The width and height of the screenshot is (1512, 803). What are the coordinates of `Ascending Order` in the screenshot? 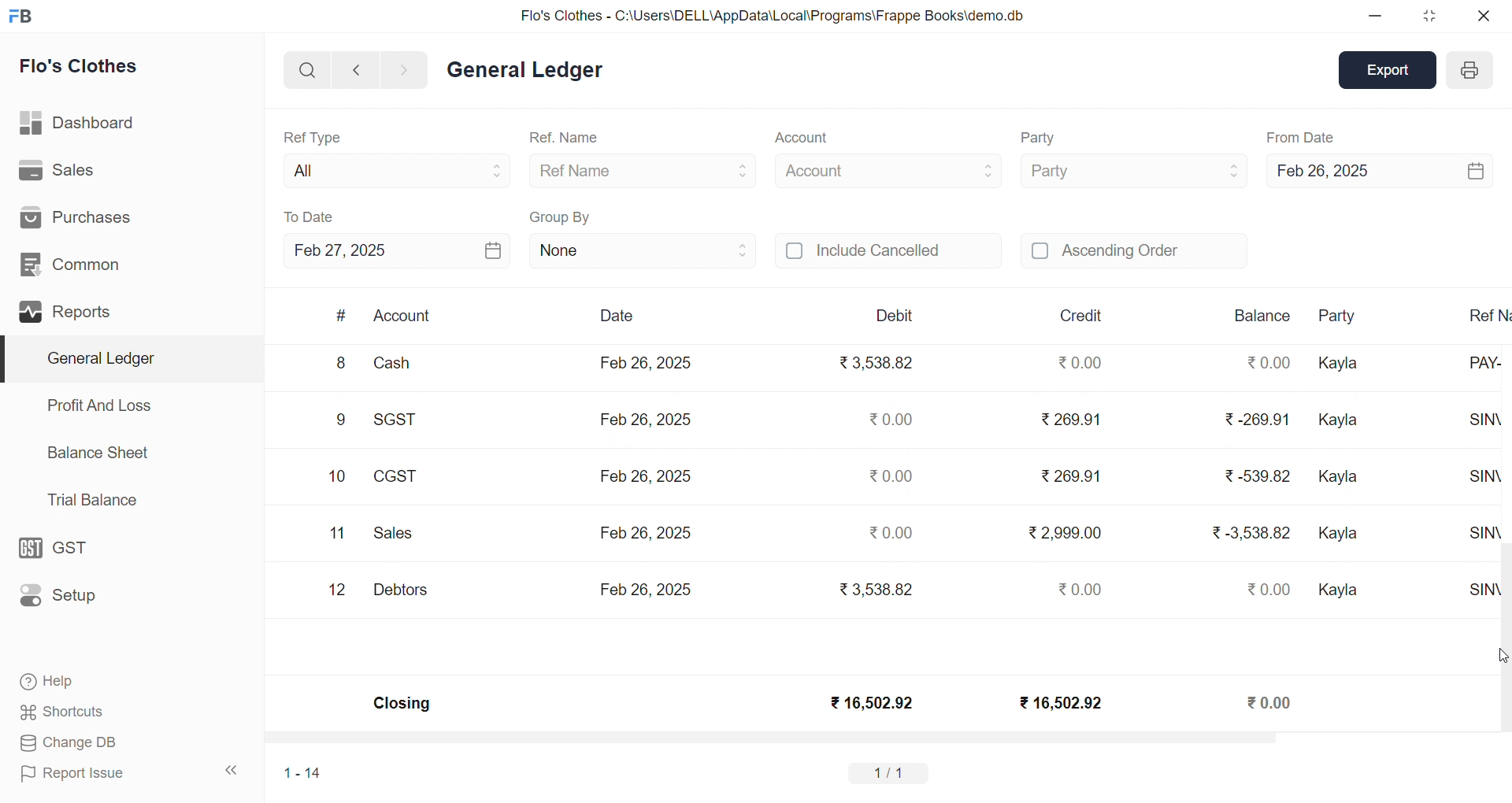 It's located at (1134, 249).